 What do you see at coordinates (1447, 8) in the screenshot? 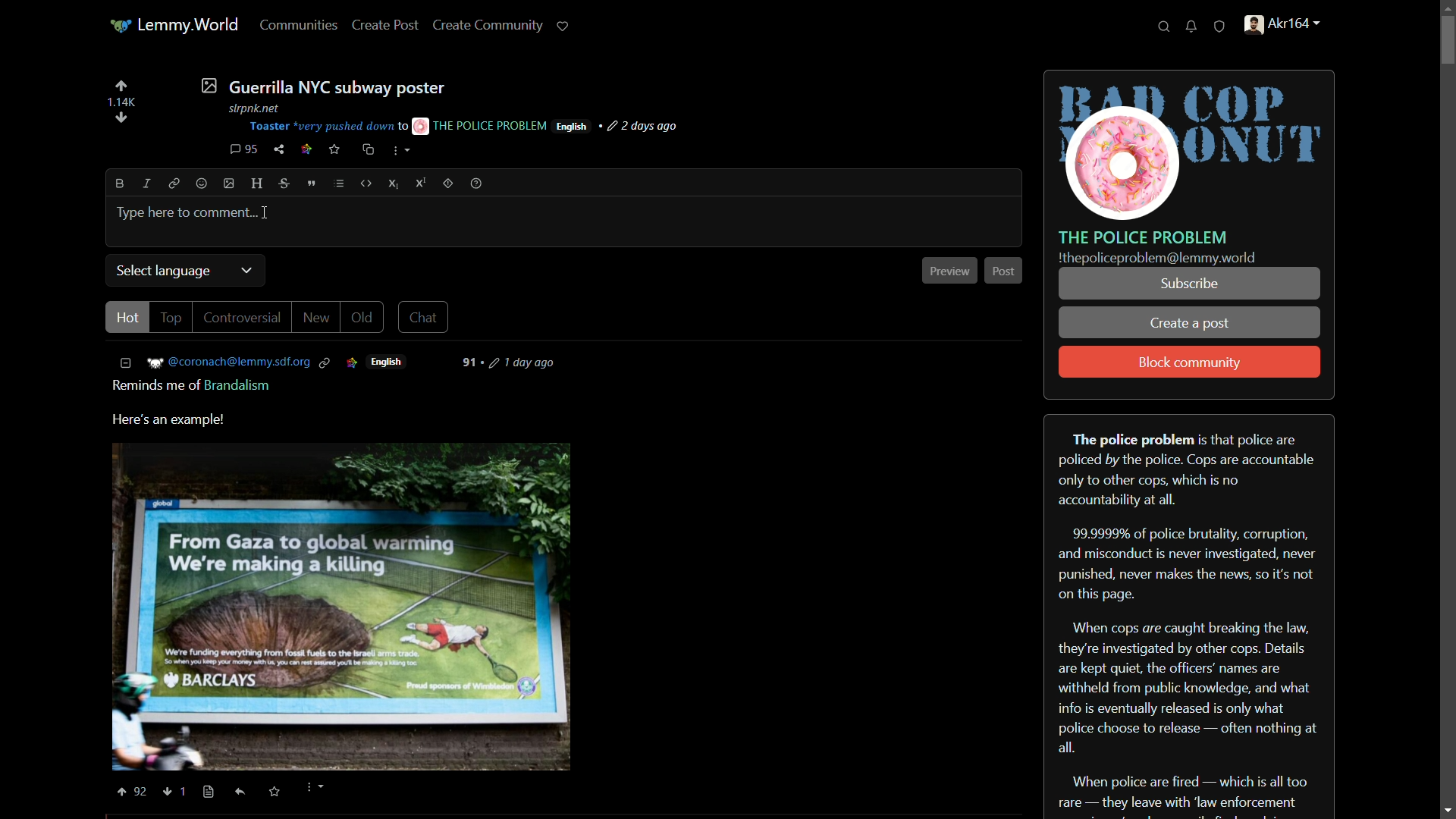
I see `scroll up` at bounding box center [1447, 8].